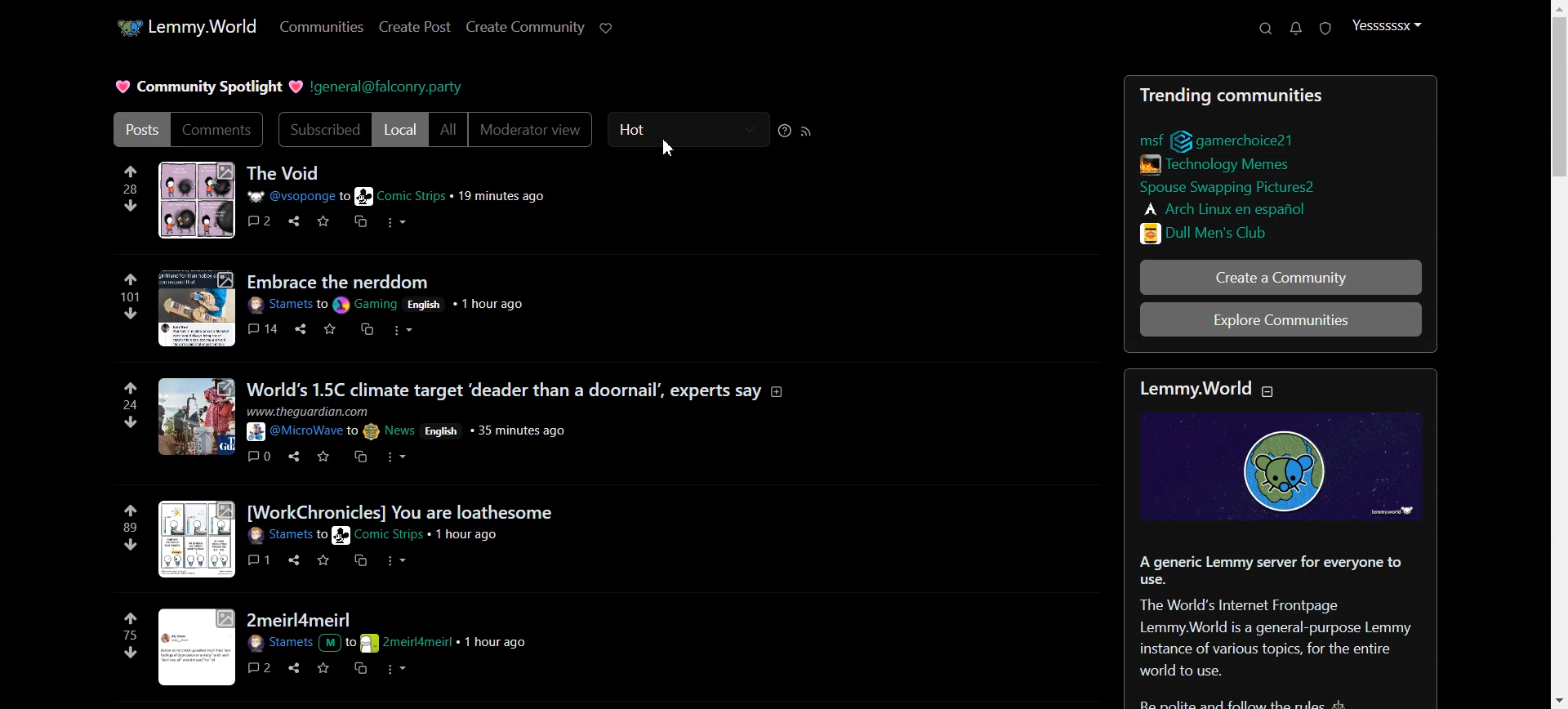 This screenshot has width=1568, height=709. I want to click on text, so click(1208, 387).